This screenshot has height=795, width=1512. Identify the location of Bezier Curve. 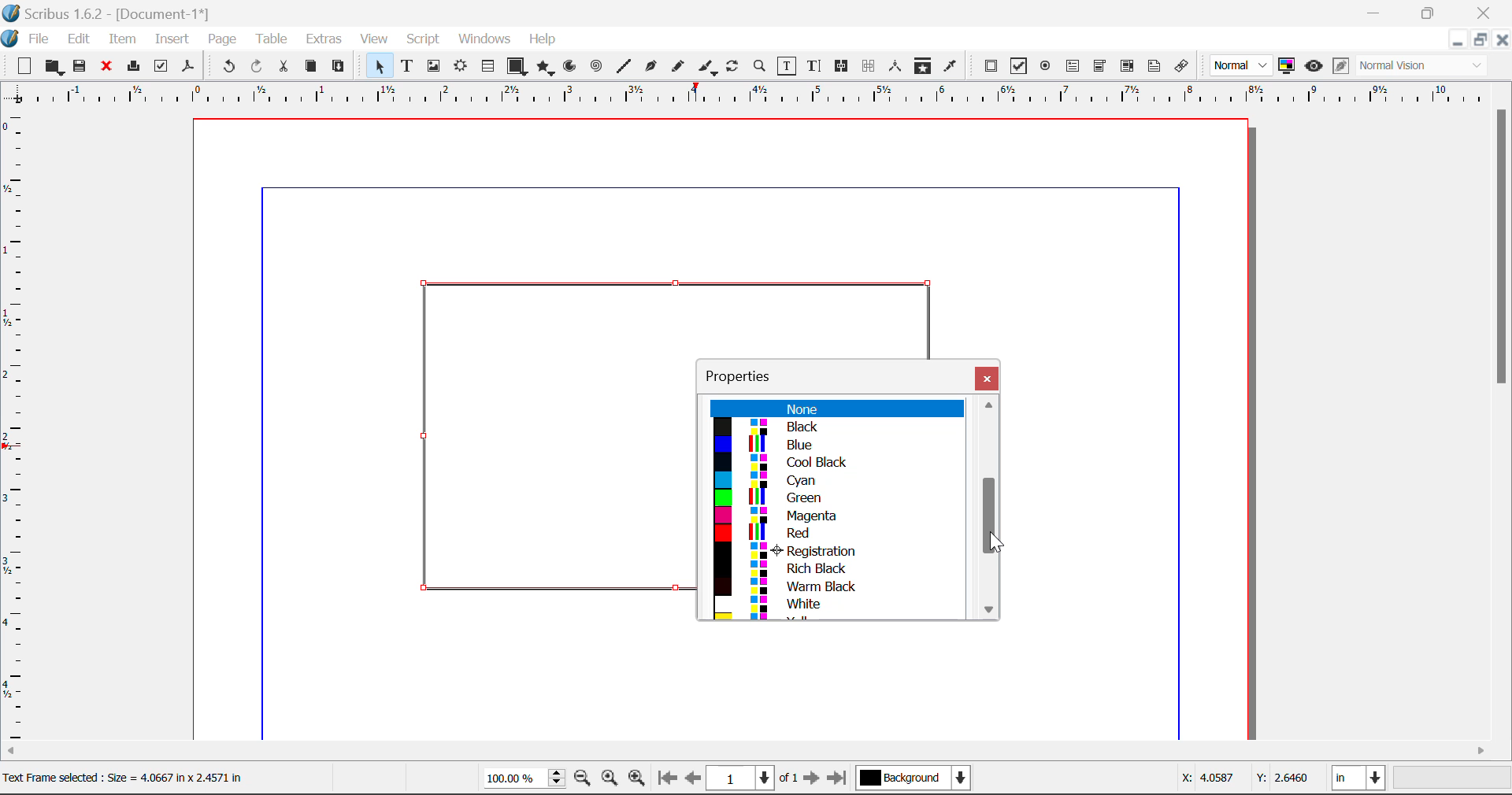
(649, 66).